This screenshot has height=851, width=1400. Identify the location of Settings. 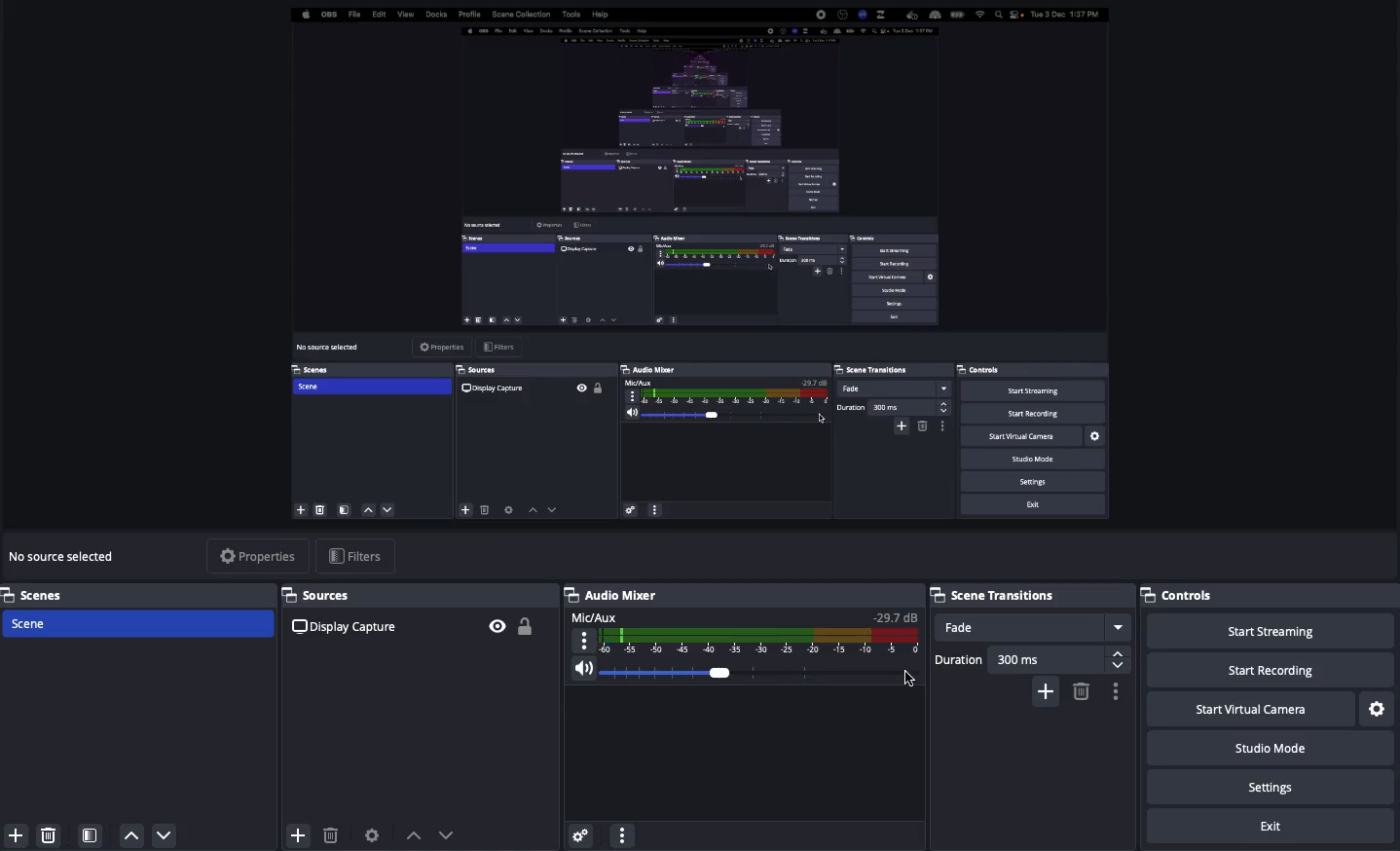
(1273, 788).